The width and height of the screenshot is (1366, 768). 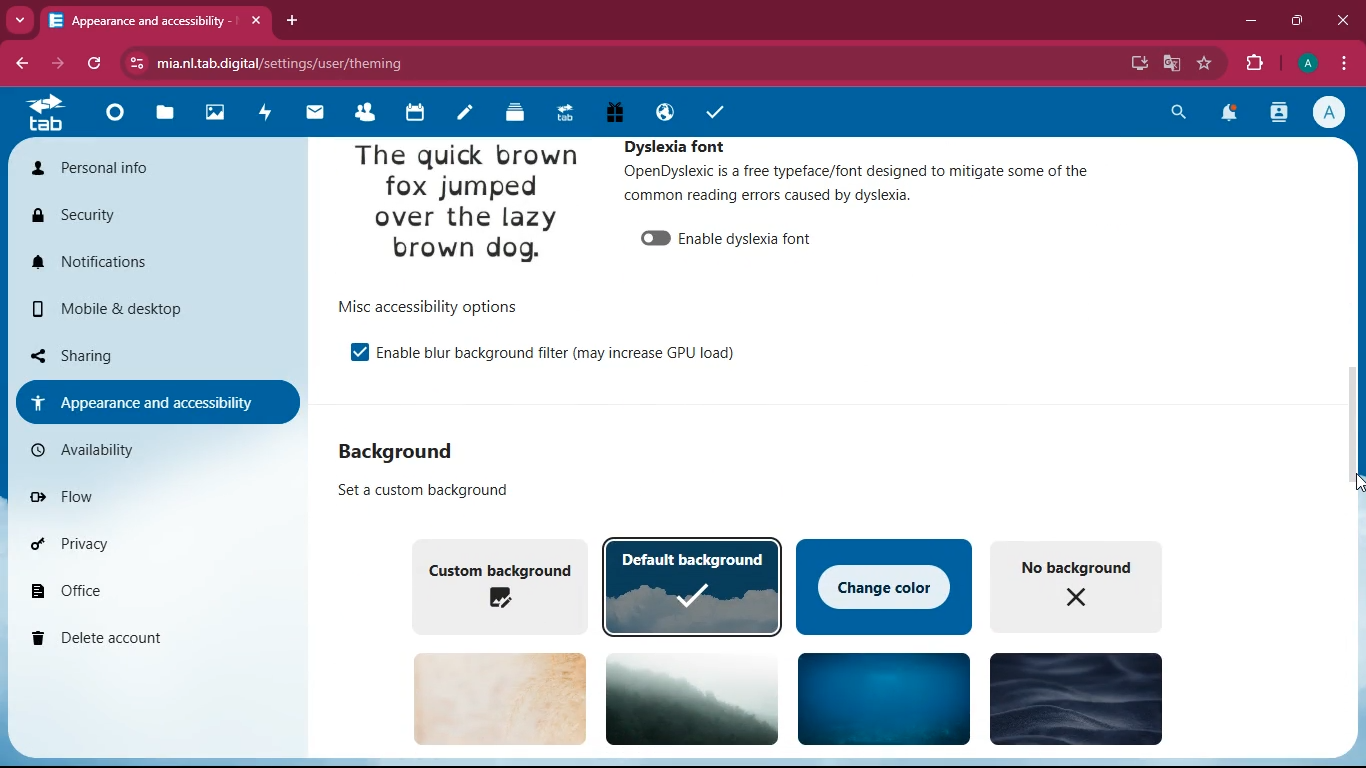 I want to click on add tab, so click(x=295, y=21).